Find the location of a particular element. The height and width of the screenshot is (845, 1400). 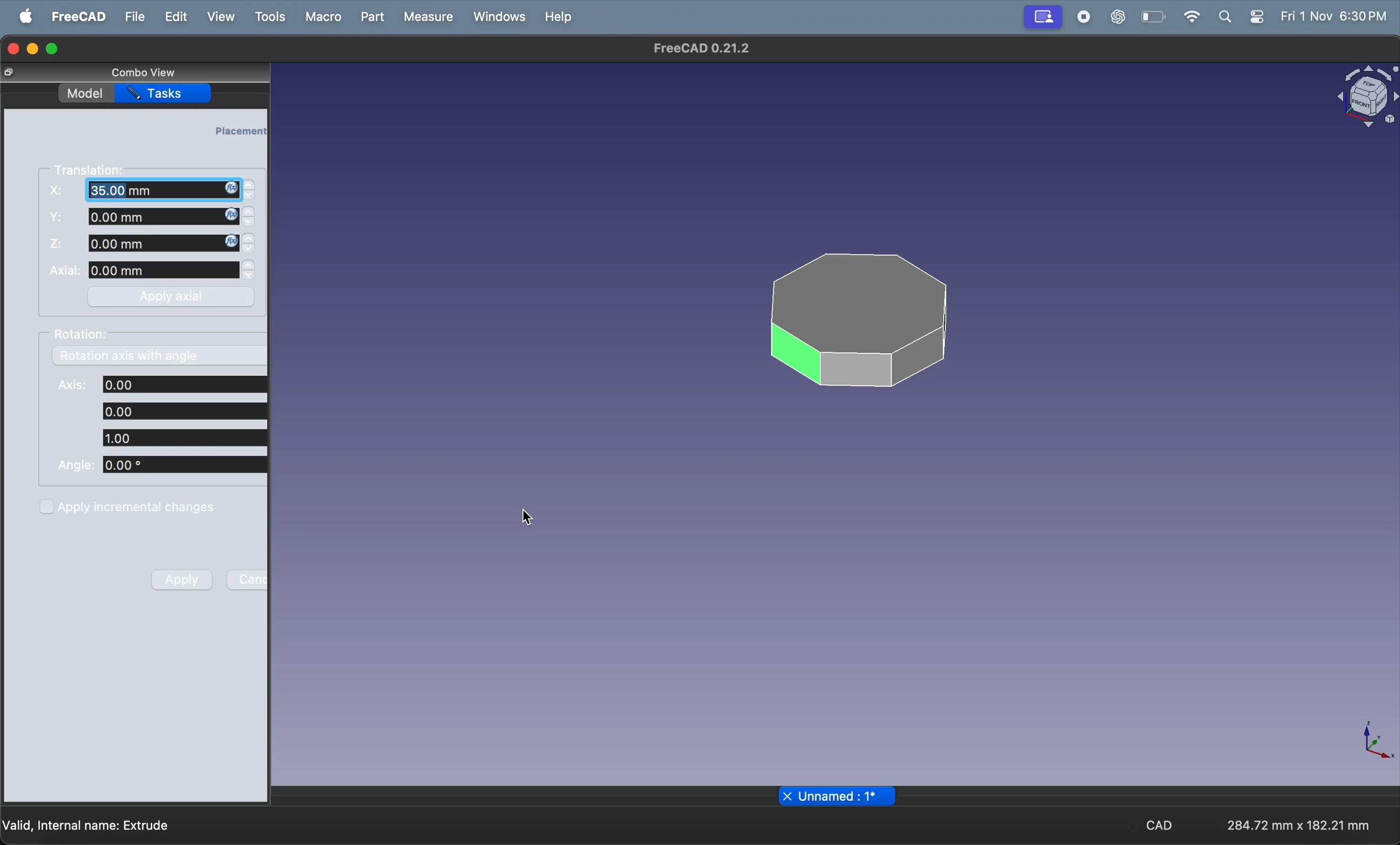

up is located at coordinates (251, 212).